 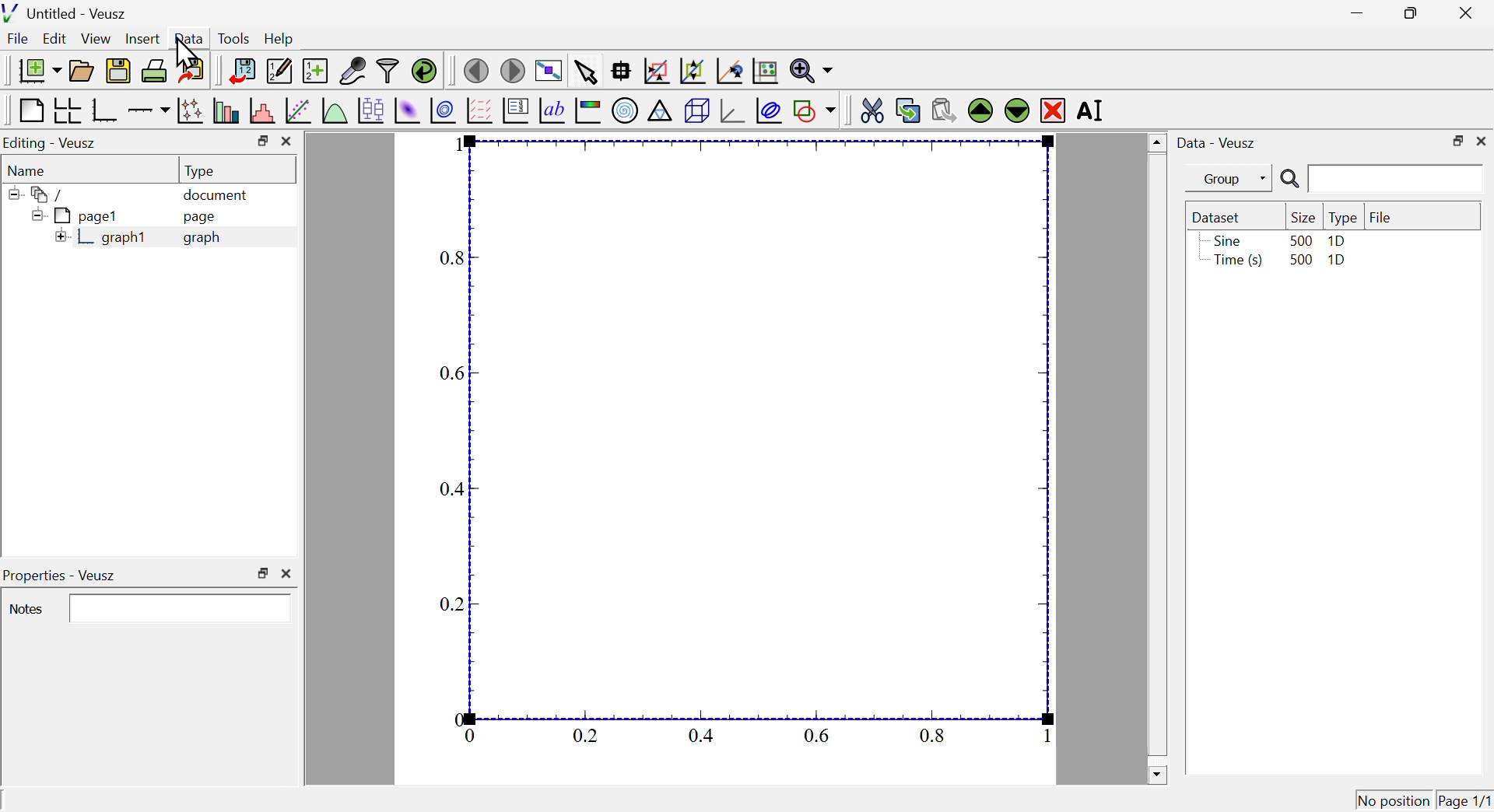 What do you see at coordinates (811, 71) in the screenshot?
I see `zoom functions` at bounding box center [811, 71].